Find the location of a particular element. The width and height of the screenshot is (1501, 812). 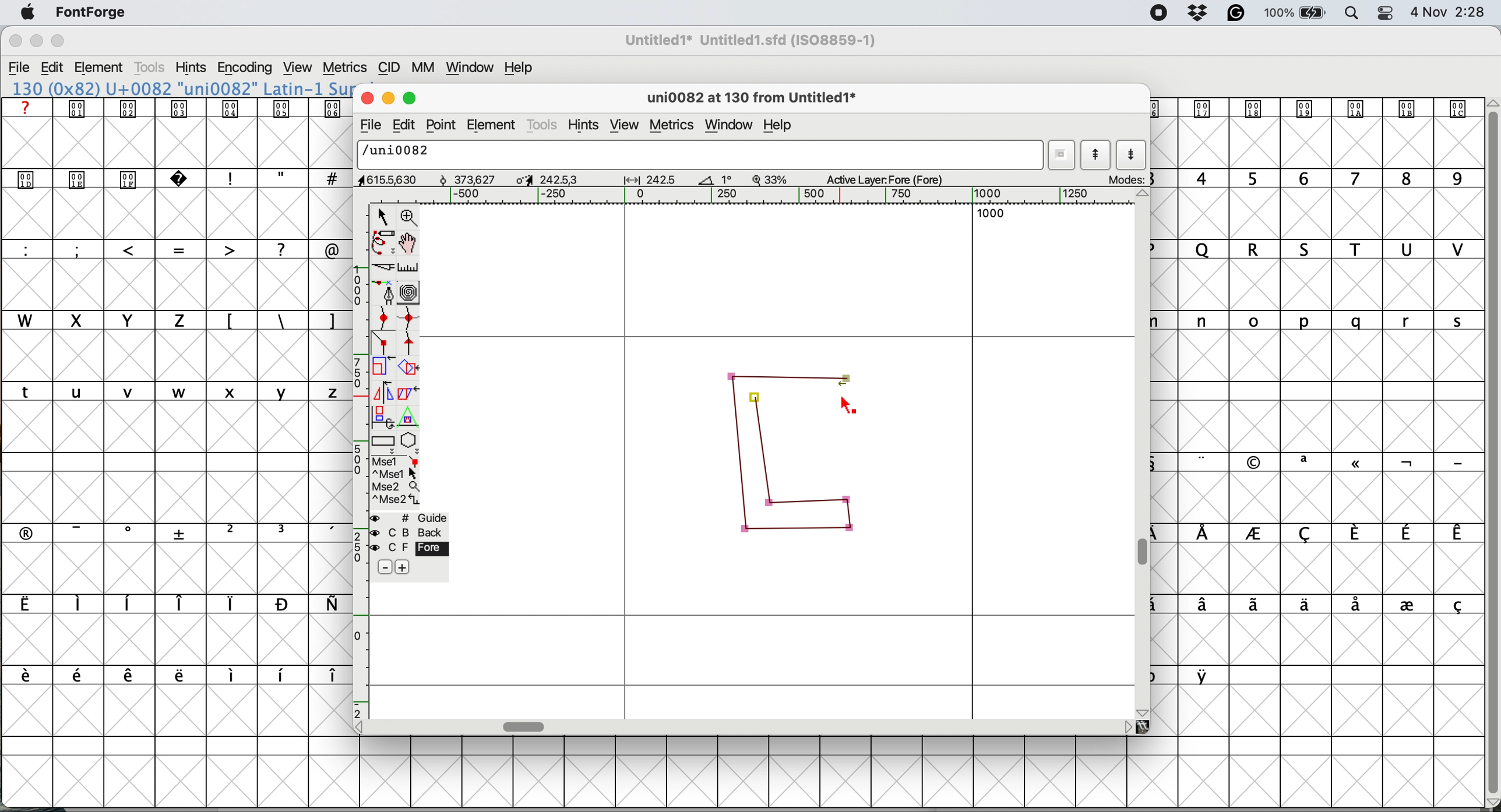

glyph name is located at coordinates (749, 99).